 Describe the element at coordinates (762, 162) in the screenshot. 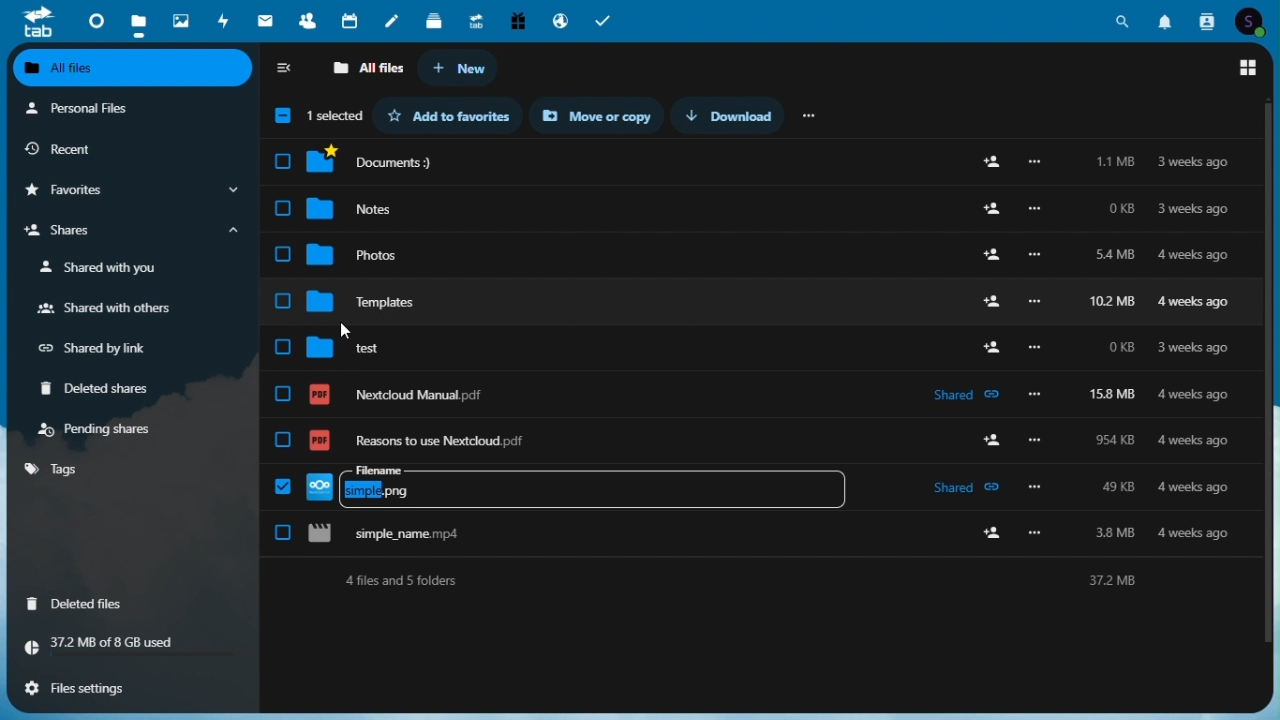

I see `Documents:) 1.1 MB 3 weeks ago` at that location.